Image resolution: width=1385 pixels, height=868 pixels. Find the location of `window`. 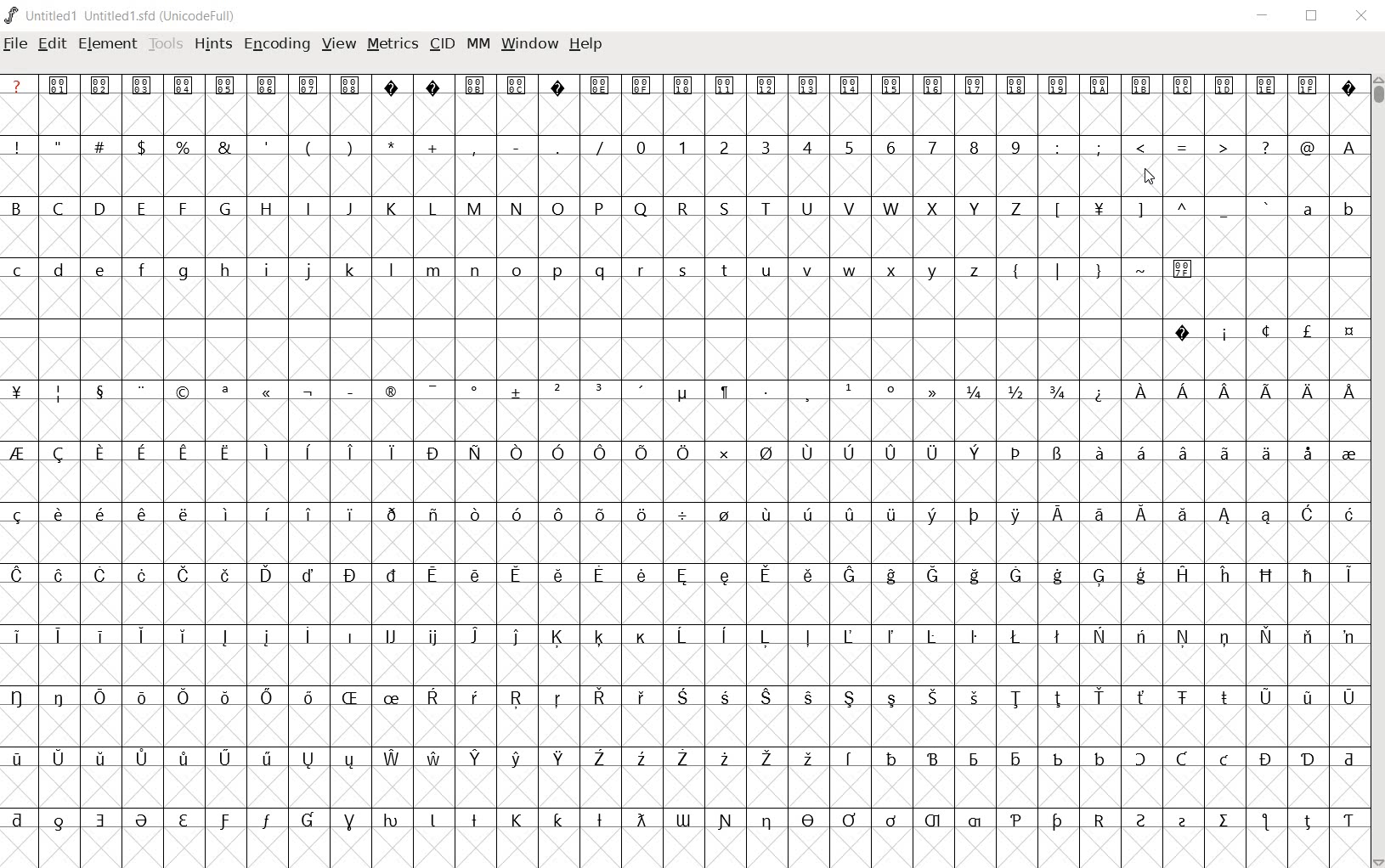

window is located at coordinates (529, 45).